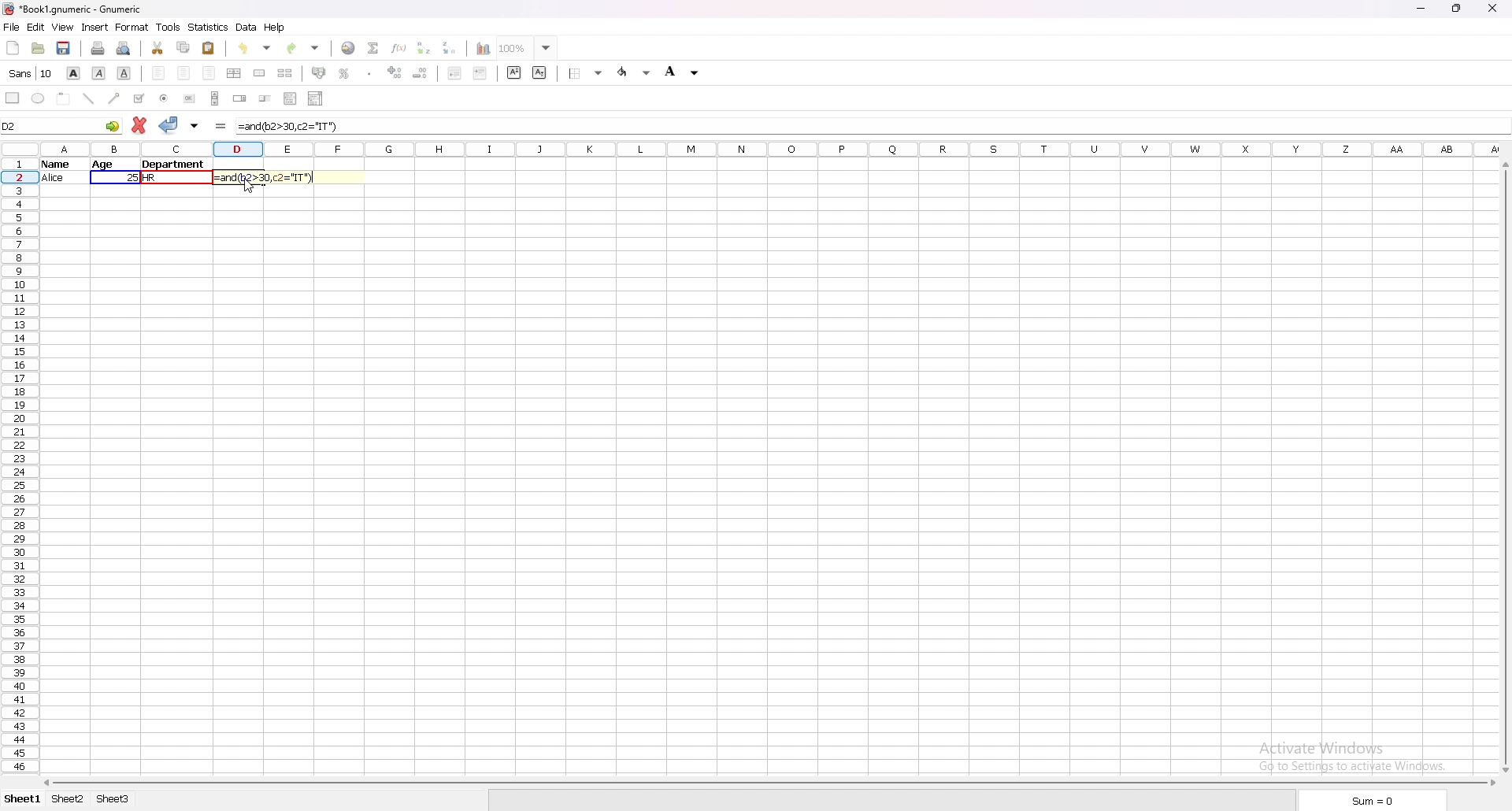  What do you see at coordinates (587, 73) in the screenshot?
I see `border` at bounding box center [587, 73].